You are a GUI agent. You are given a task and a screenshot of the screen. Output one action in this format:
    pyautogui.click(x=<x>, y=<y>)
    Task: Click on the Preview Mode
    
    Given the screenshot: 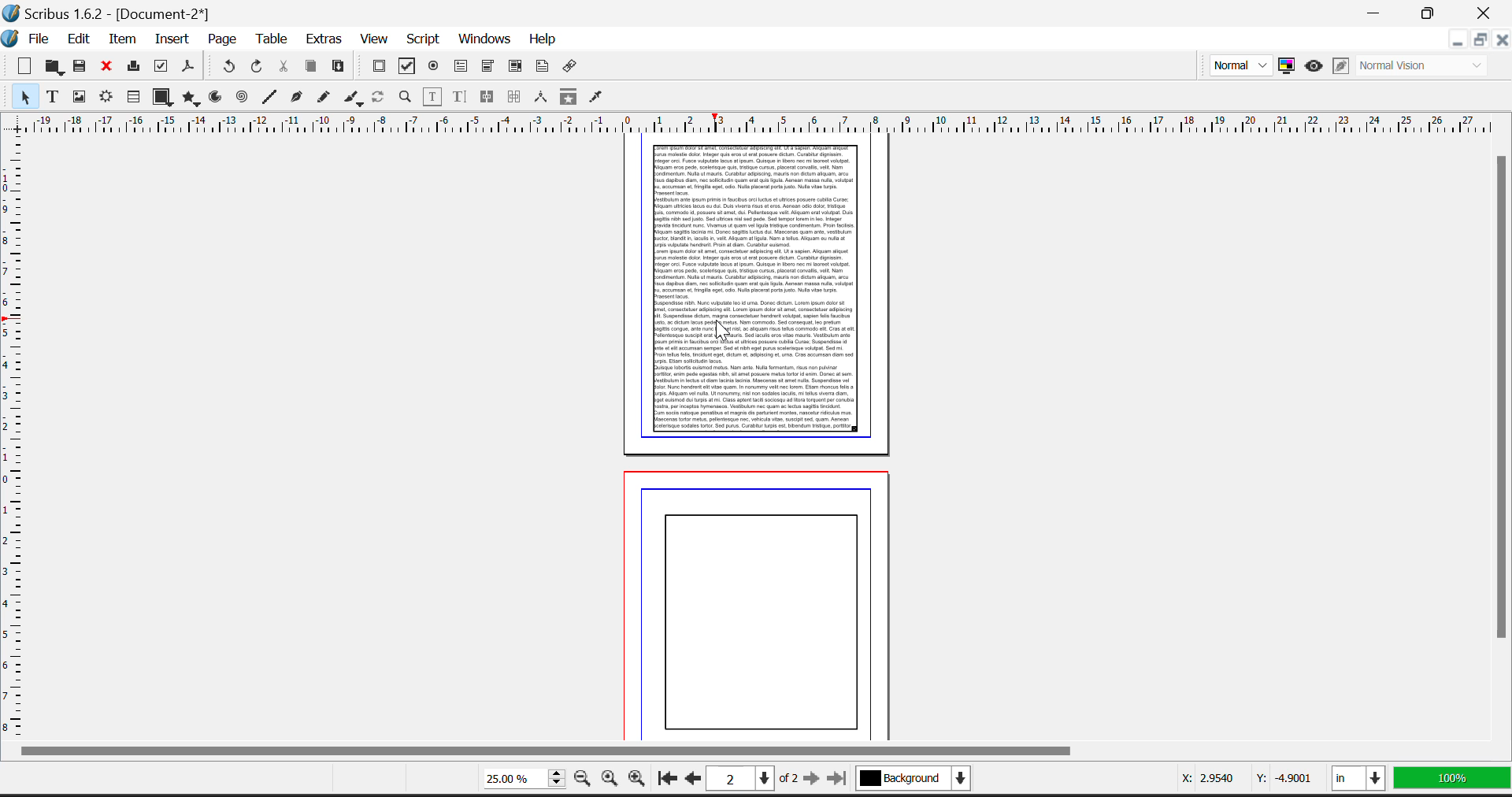 What is the action you would take?
    pyautogui.click(x=1313, y=66)
    